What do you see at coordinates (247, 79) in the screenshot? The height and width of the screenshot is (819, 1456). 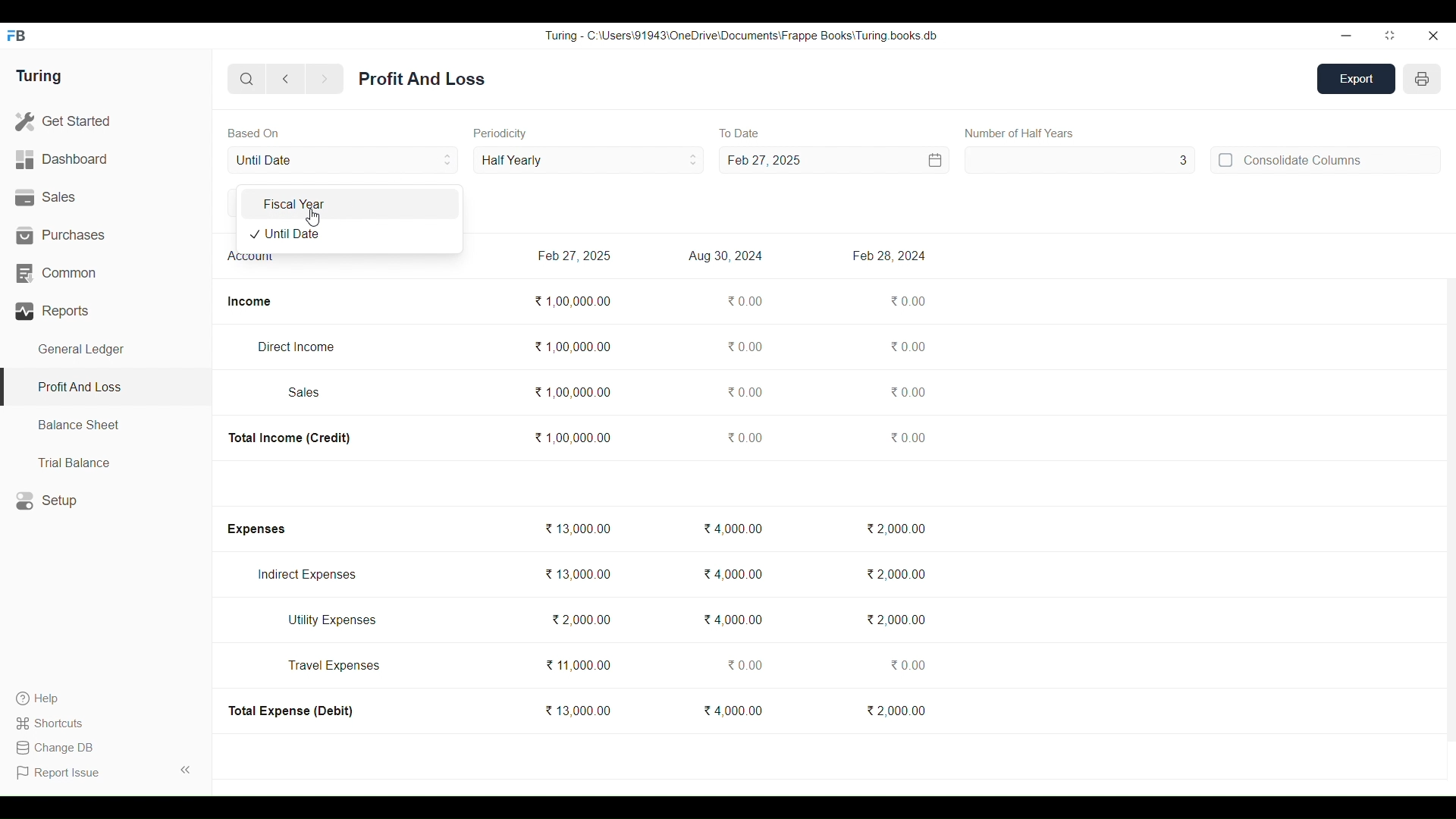 I see `Search` at bounding box center [247, 79].